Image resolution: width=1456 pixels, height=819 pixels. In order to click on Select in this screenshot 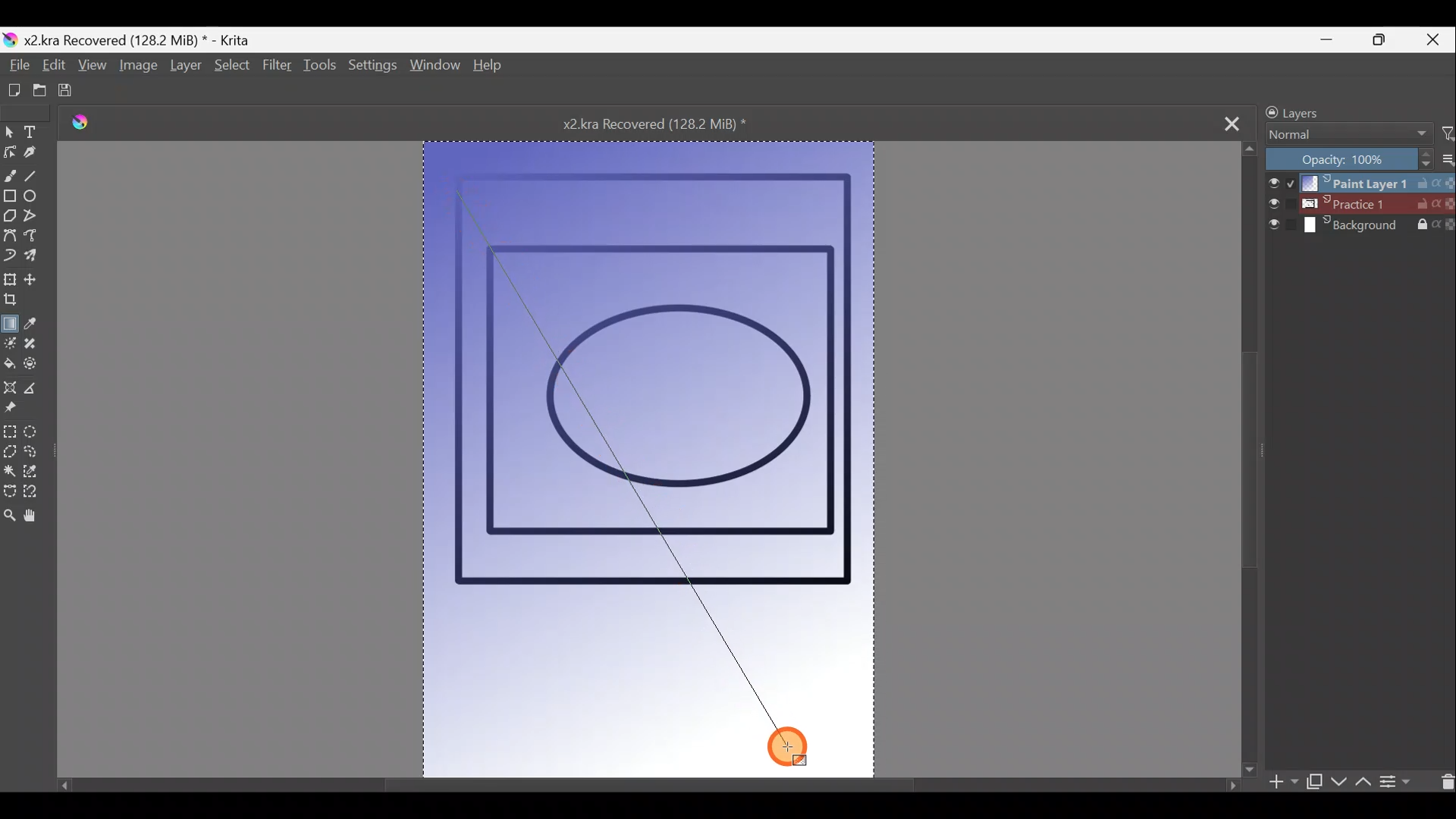, I will do `click(230, 66)`.